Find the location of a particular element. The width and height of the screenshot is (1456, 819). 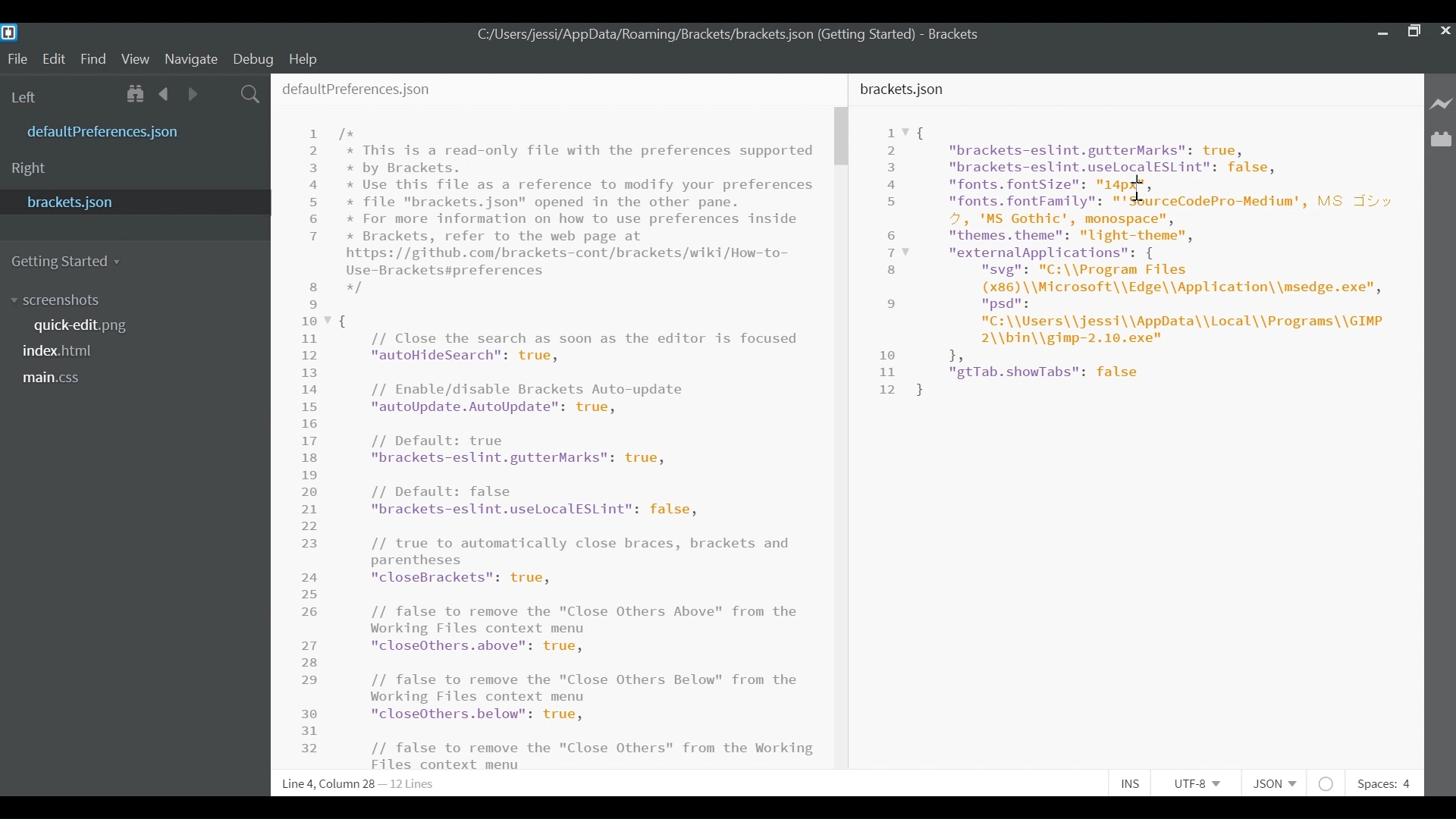

Cursor is located at coordinates (1141, 187).